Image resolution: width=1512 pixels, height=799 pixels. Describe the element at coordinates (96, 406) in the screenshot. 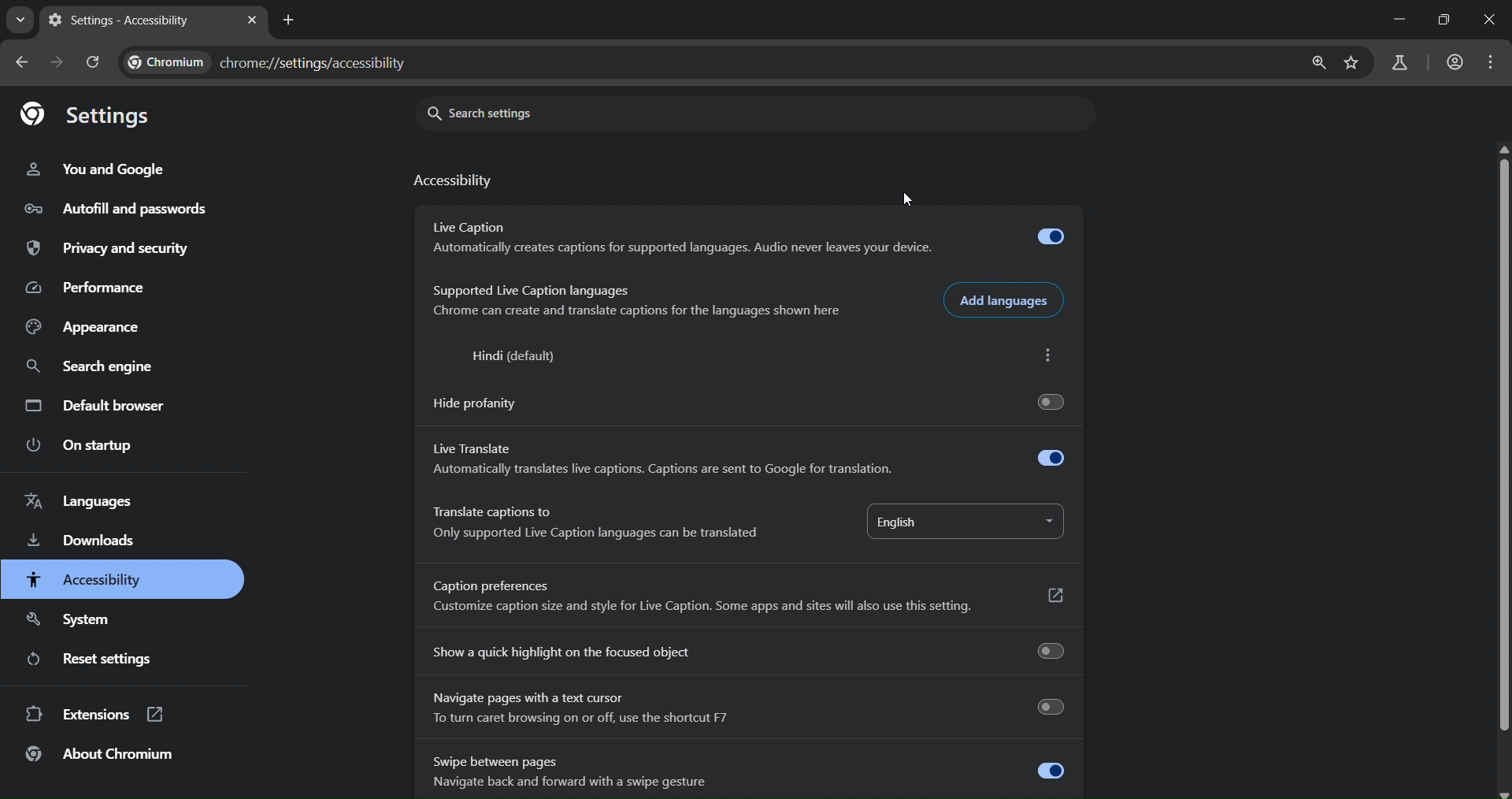

I see `default browser` at that location.